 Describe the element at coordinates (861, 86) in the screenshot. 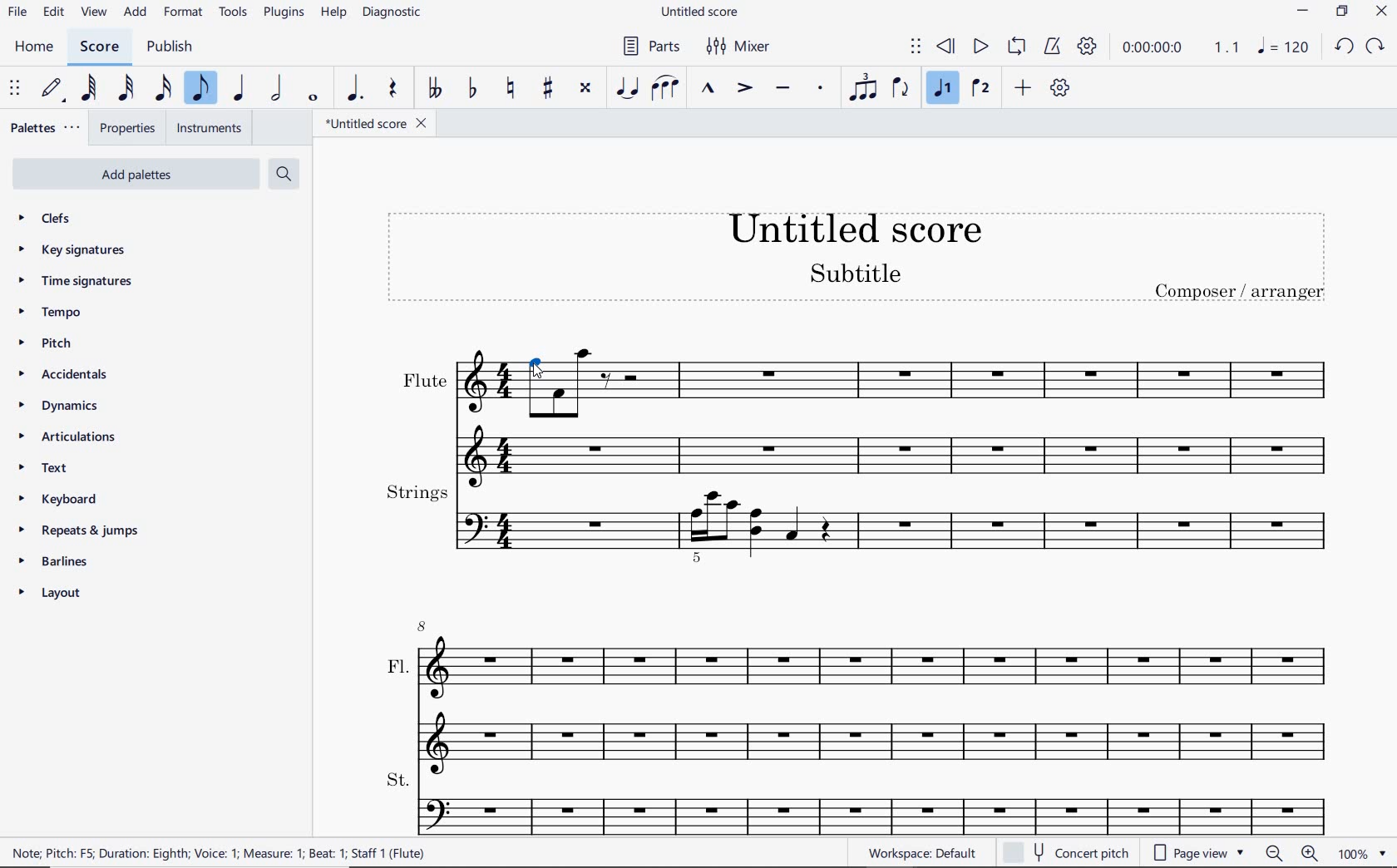

I see `TUPLET` at that location.